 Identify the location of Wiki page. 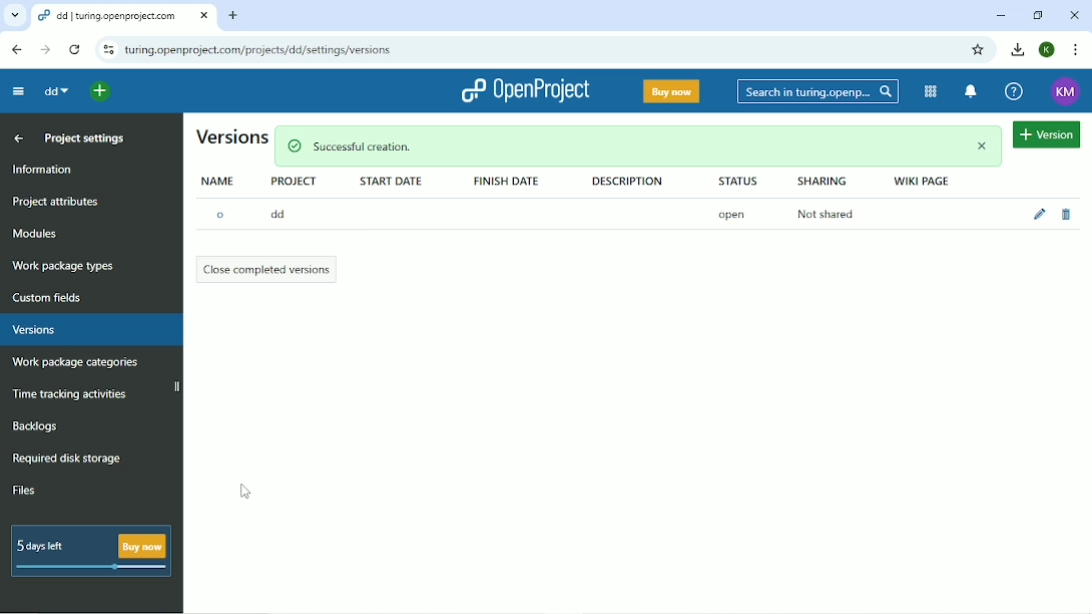
(924, 180).